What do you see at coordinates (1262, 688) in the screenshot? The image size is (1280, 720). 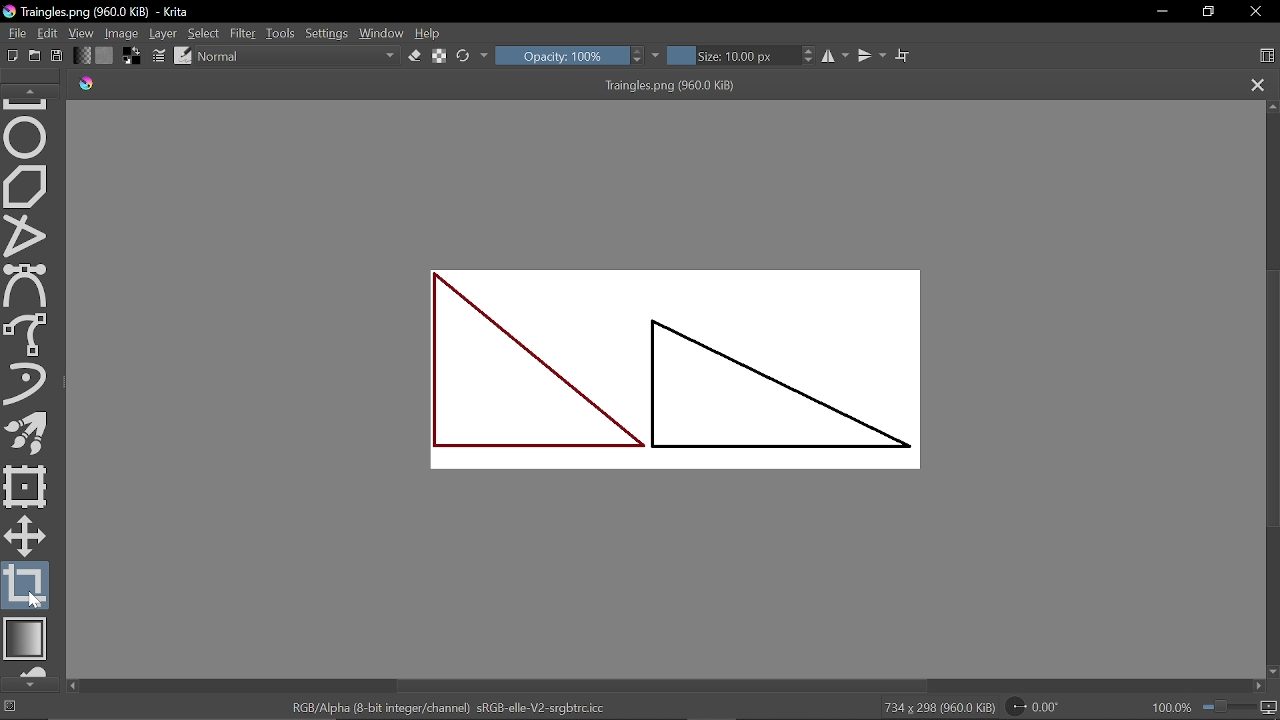 I see `Move right` at bounding box center [1262, 688].